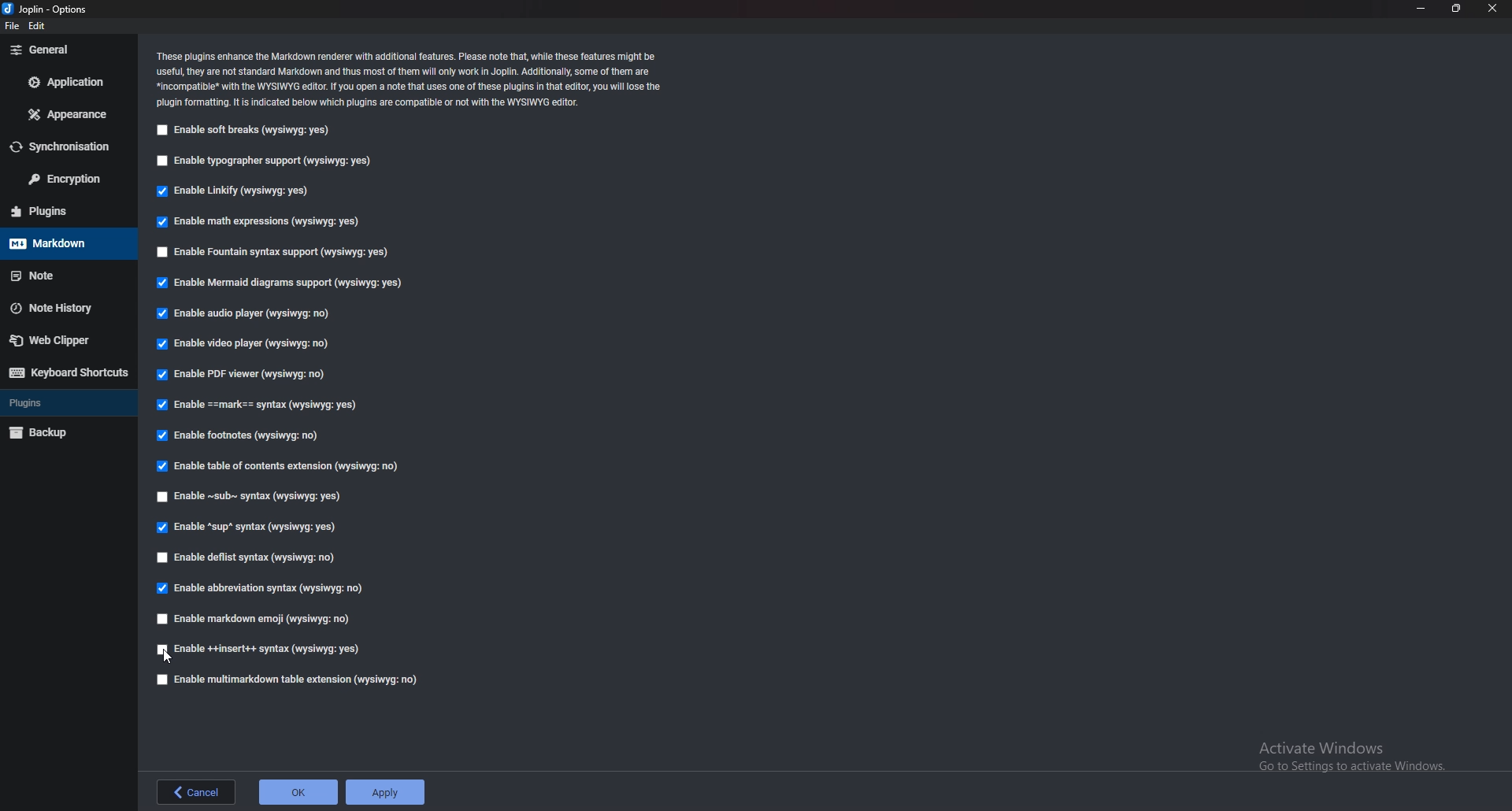 This screenshot has width=1512, height=811. What do you see at coordinates (65, 210) in the screenshot?
I see `plugins` at bounding box center [65, 210].